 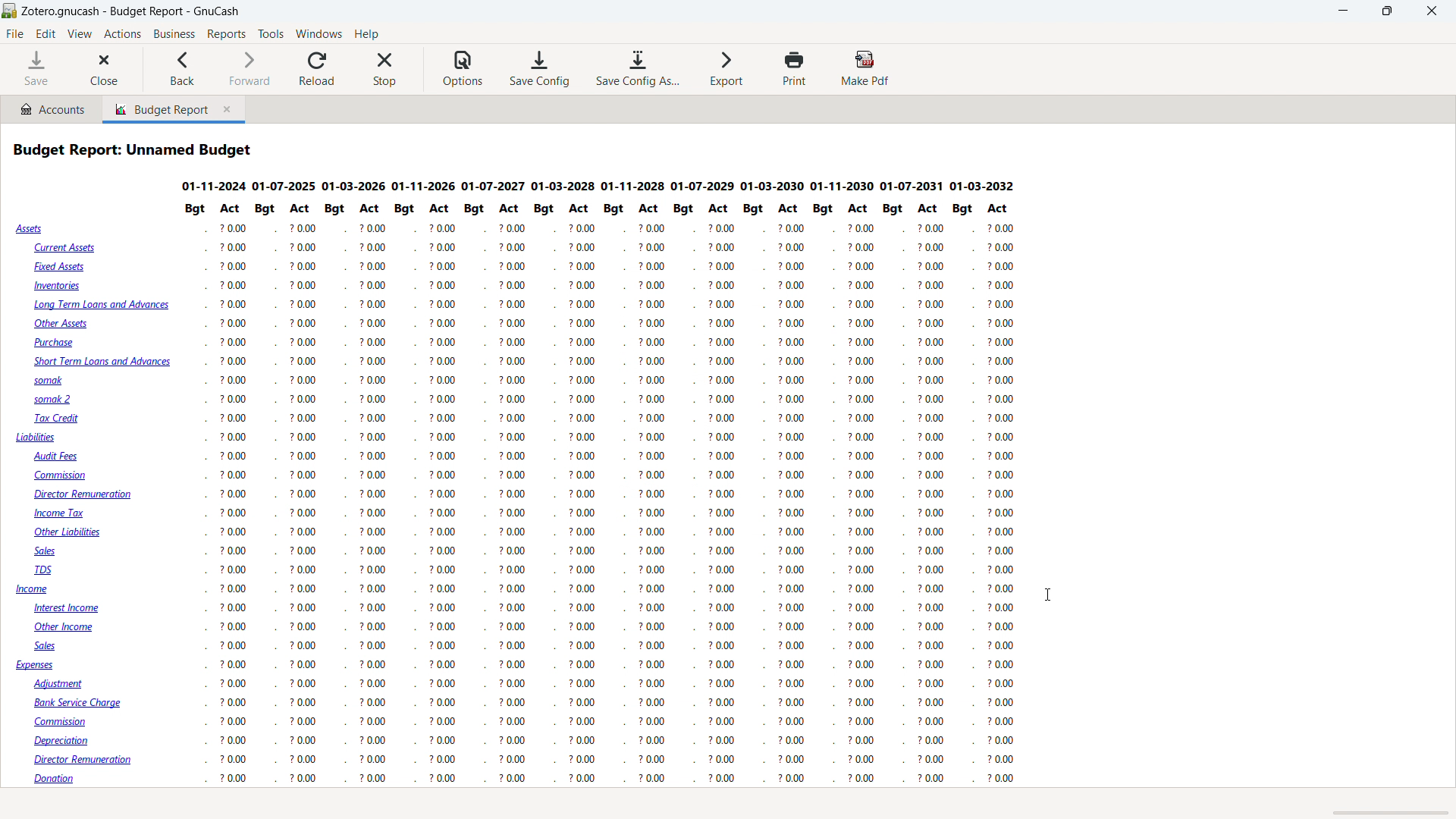 What do you see at coordinates (58, 419) in the screenshot?
I see `Tax Credit` at bounding box center [58, 419].